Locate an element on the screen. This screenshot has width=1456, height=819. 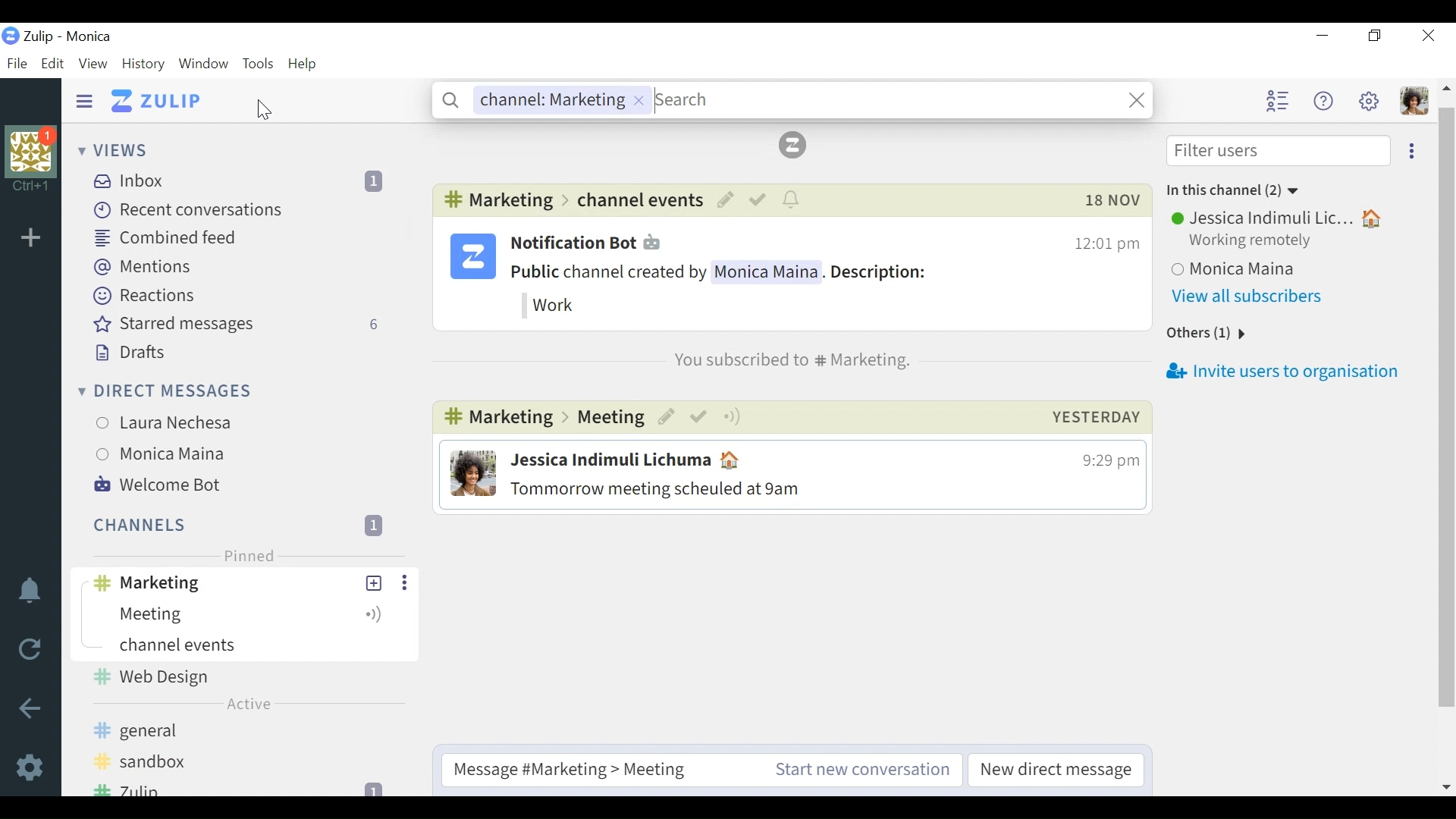
Filter Users is located at coordinates (1275, 151).